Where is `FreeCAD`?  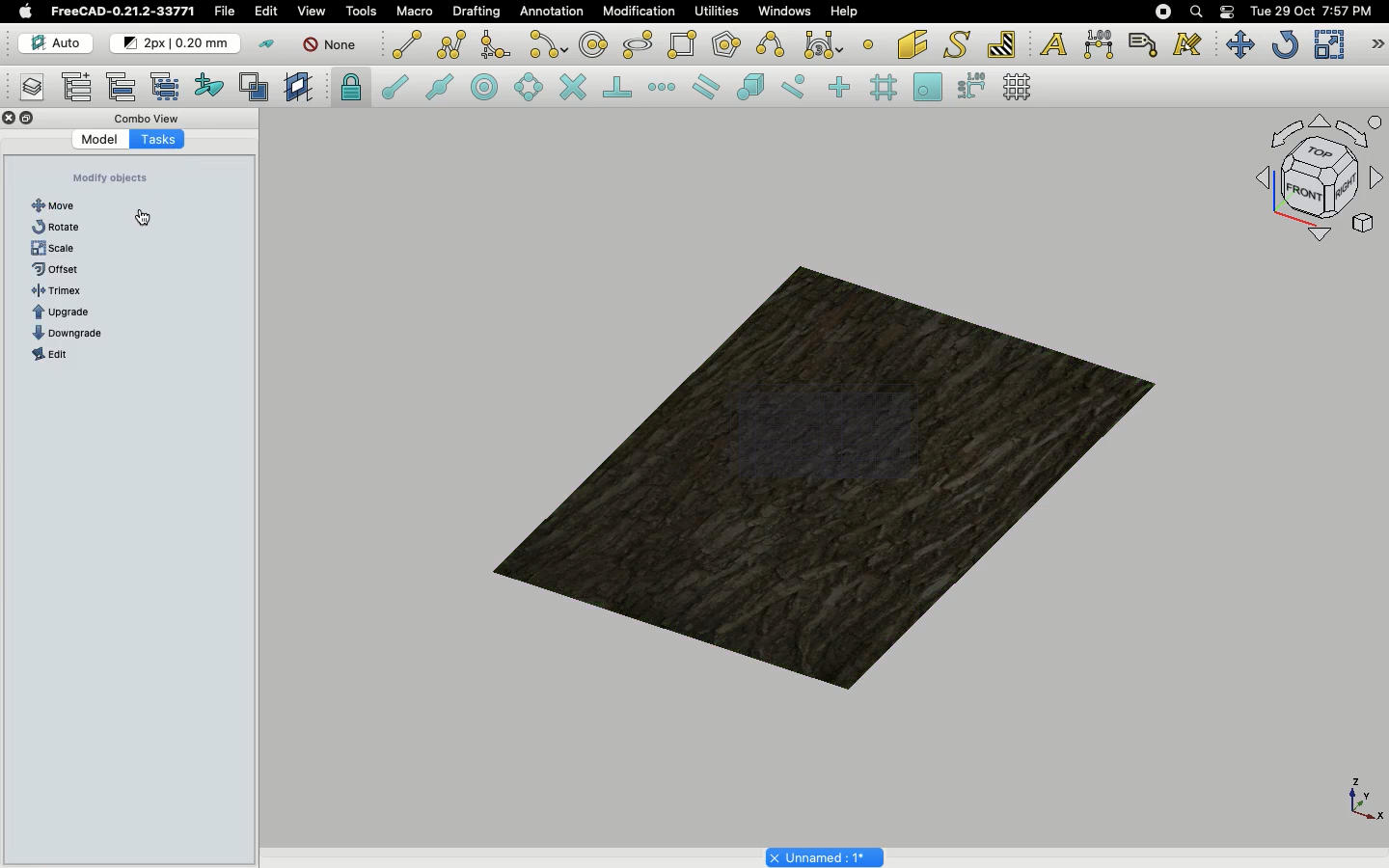 FreeCAD is located at coordinates (124, 12).